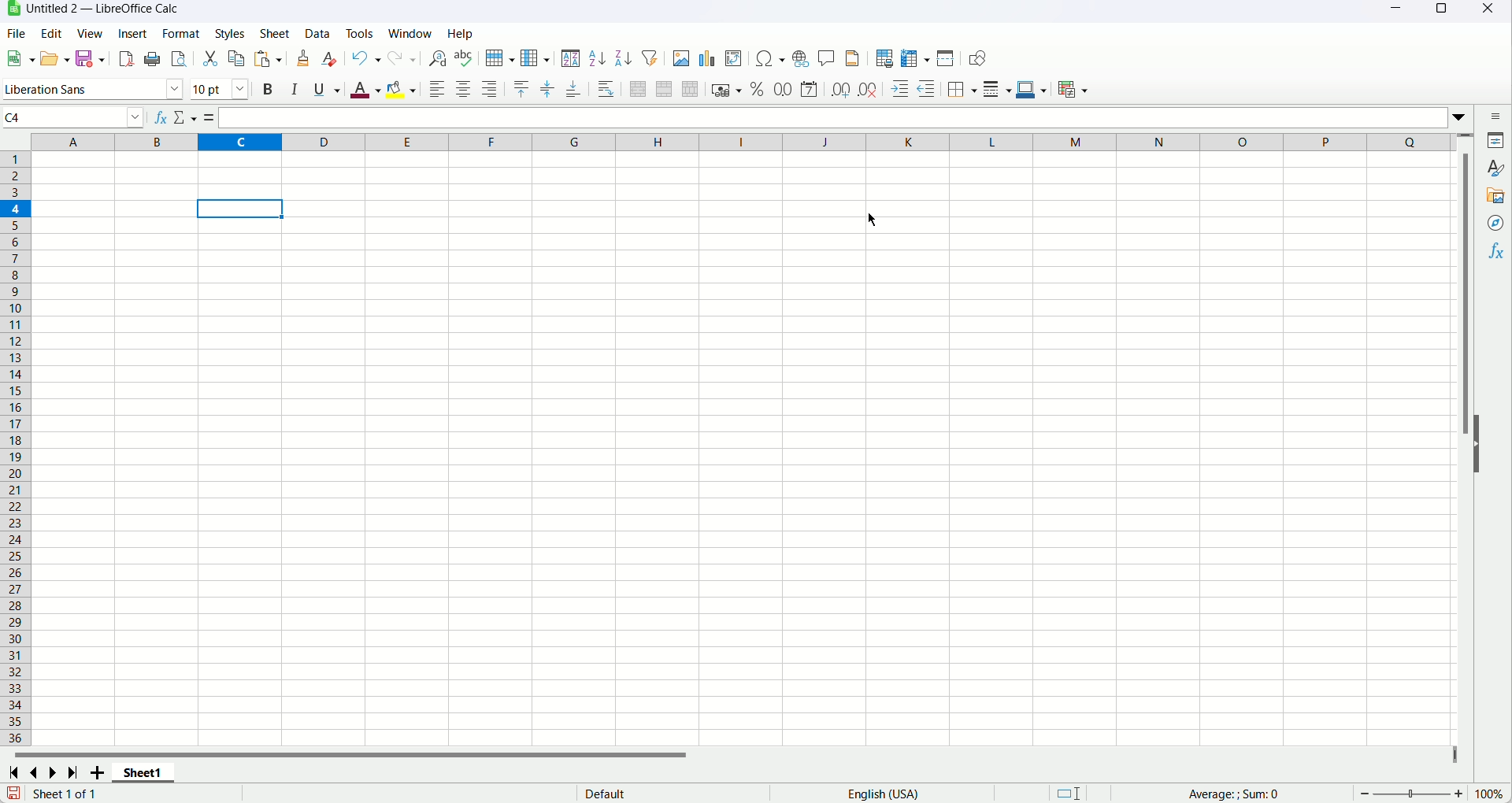 The height and width of the screenshot is (803, 1512). What do you see at coordinates (835, 117) in the screenshot?
I see `Input line` at bounding box center [835, 117].